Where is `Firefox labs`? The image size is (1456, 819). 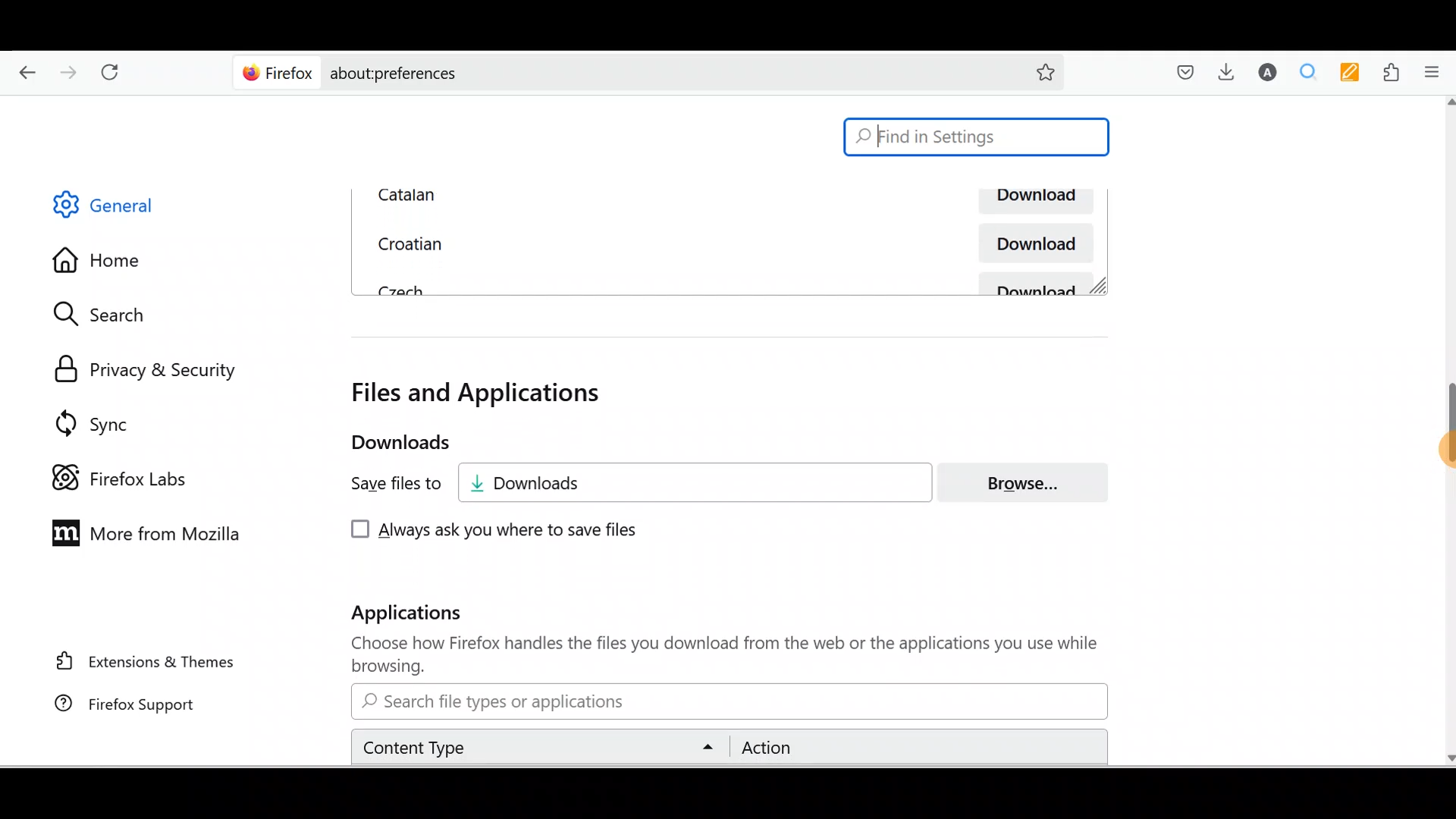 Firefox labs is located at coordinates (115, 470).